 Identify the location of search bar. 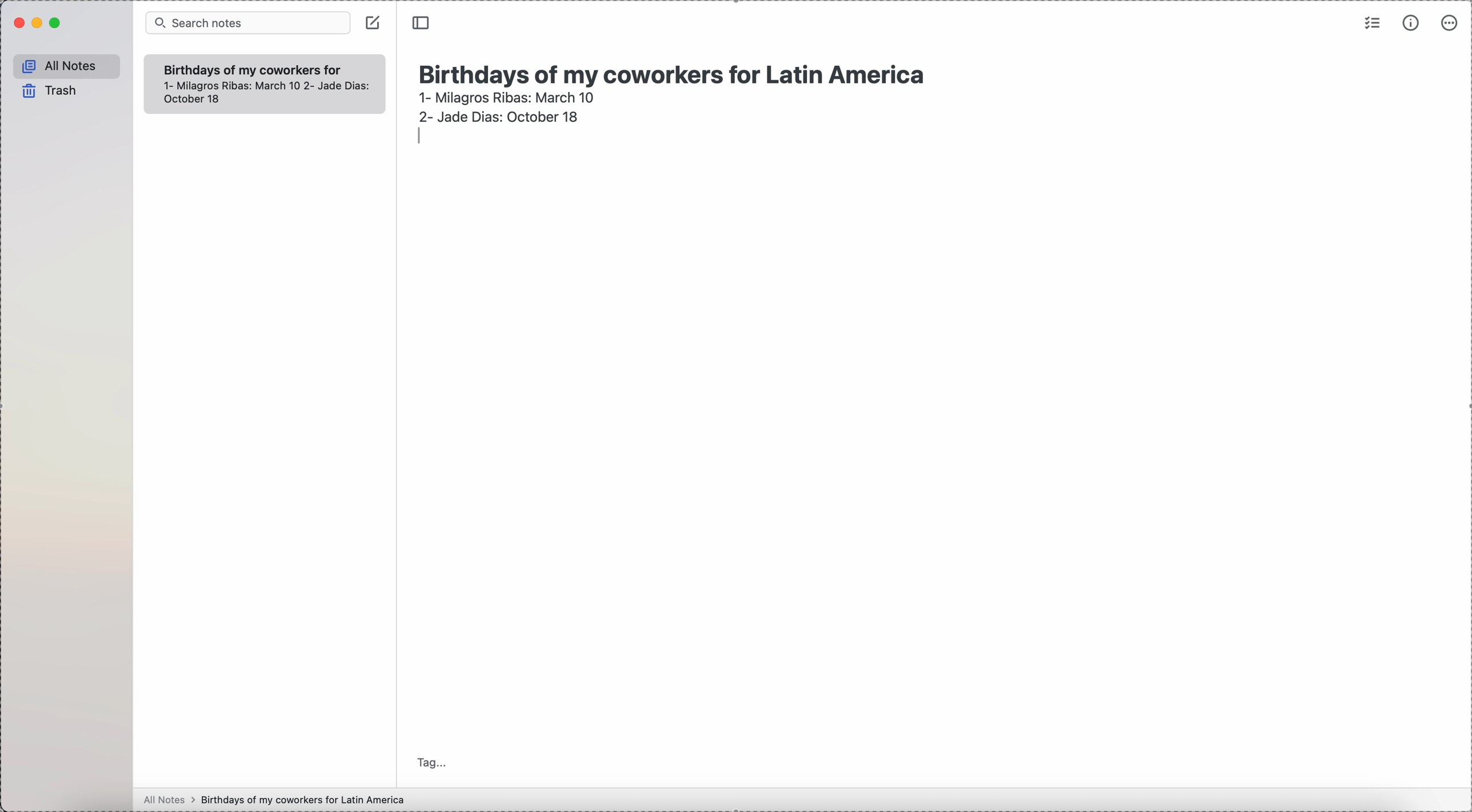
(247, 23).